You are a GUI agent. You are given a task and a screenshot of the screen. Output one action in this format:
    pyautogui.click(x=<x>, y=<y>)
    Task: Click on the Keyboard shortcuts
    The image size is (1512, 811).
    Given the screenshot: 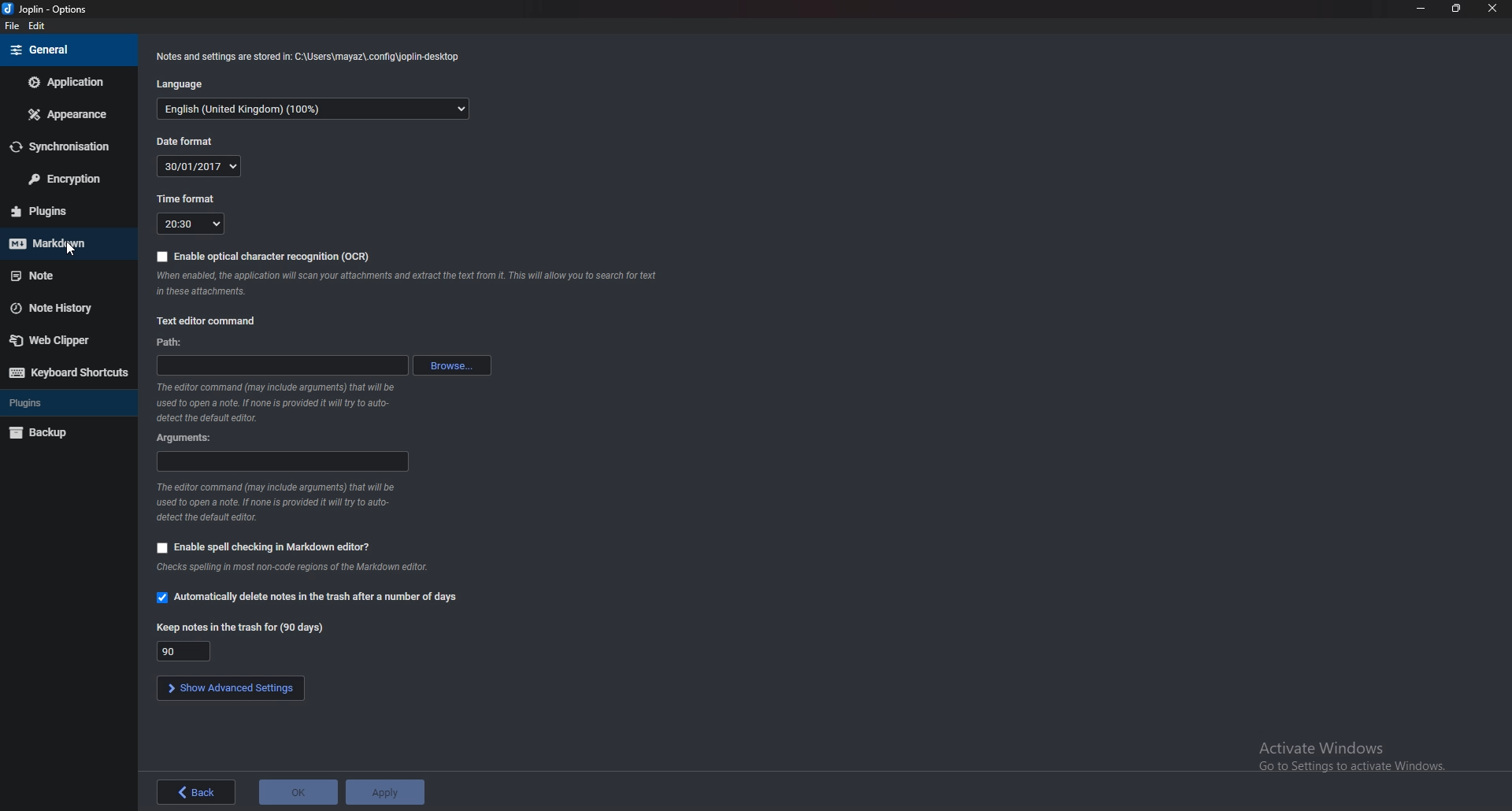 What is the action you would take?
    pyautogui.click(x=66, y=372)
    